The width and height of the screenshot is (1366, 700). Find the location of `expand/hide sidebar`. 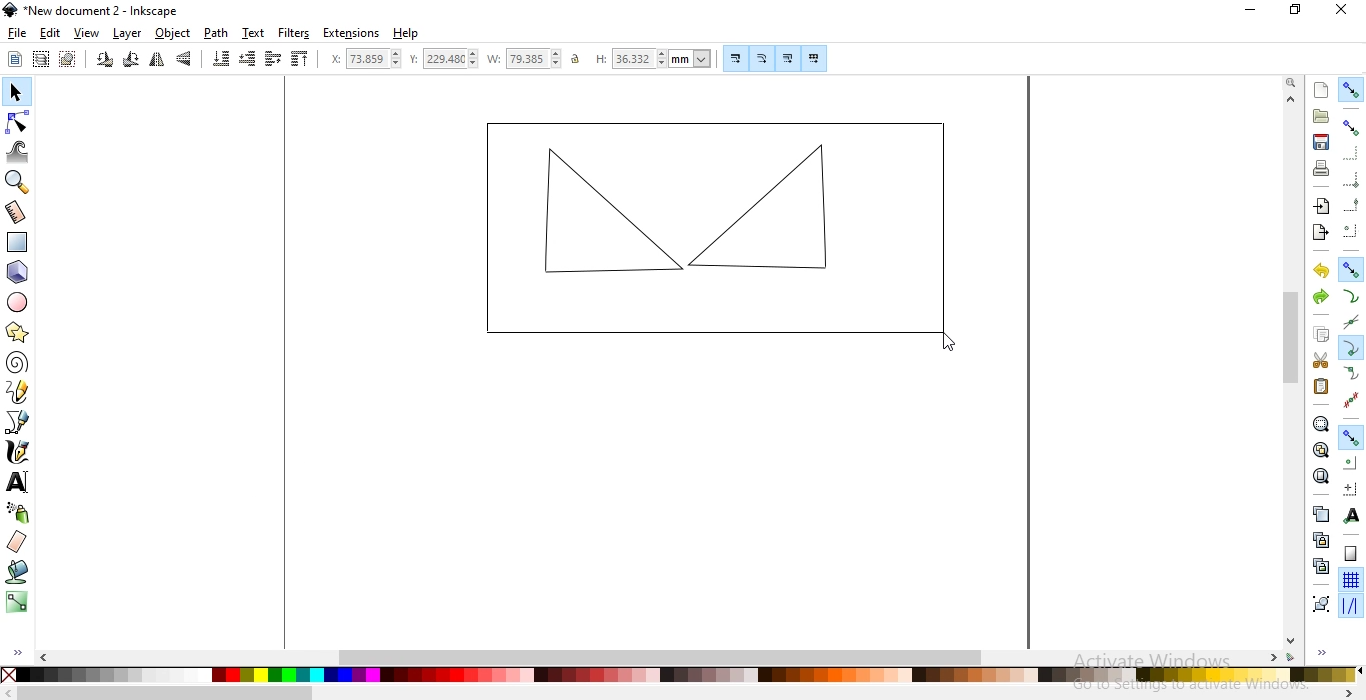

expand/hide sidebar is located at coordinates (1328, 654).